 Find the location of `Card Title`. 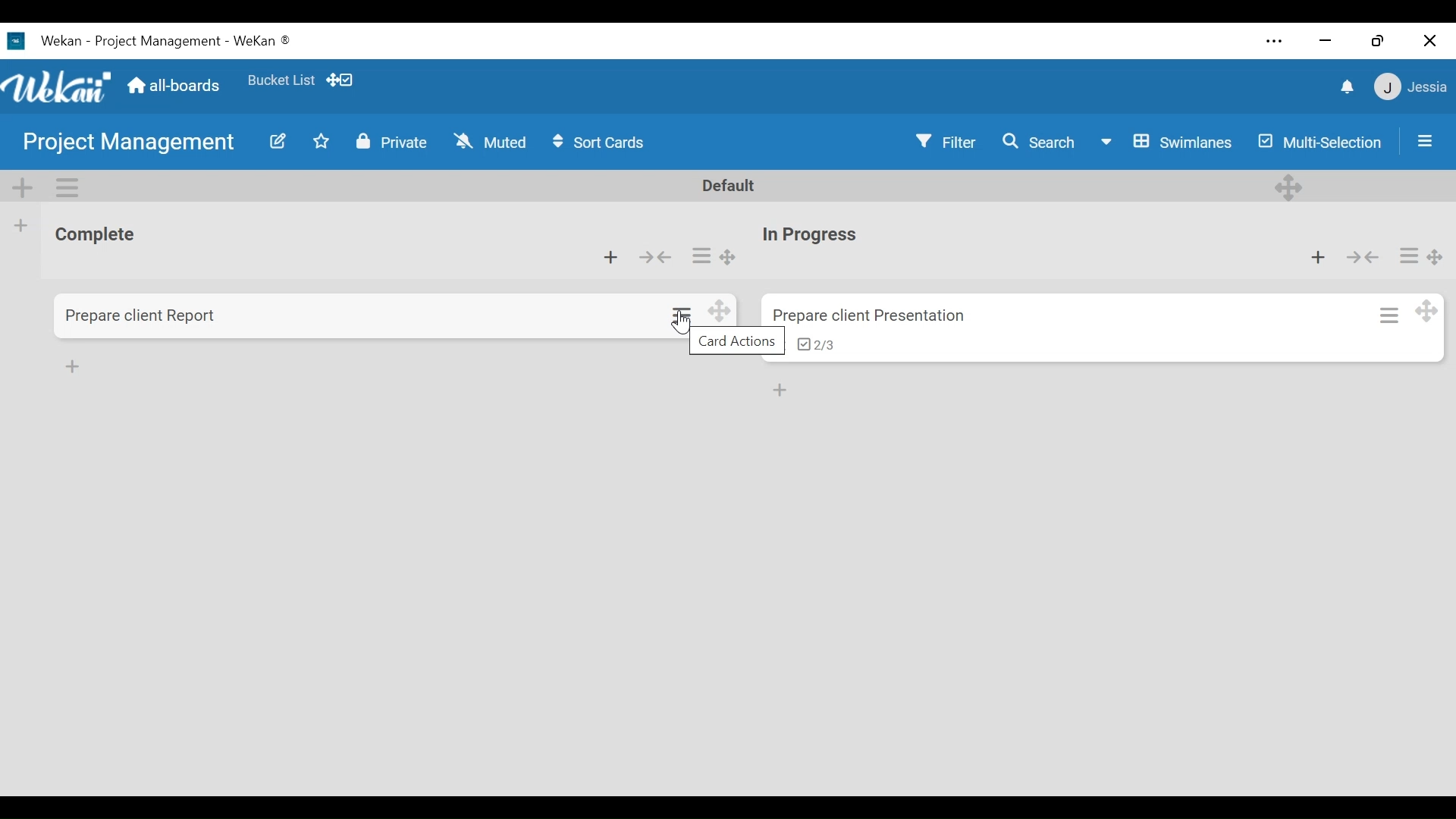

Card Title is located at coordinates (816, 235).